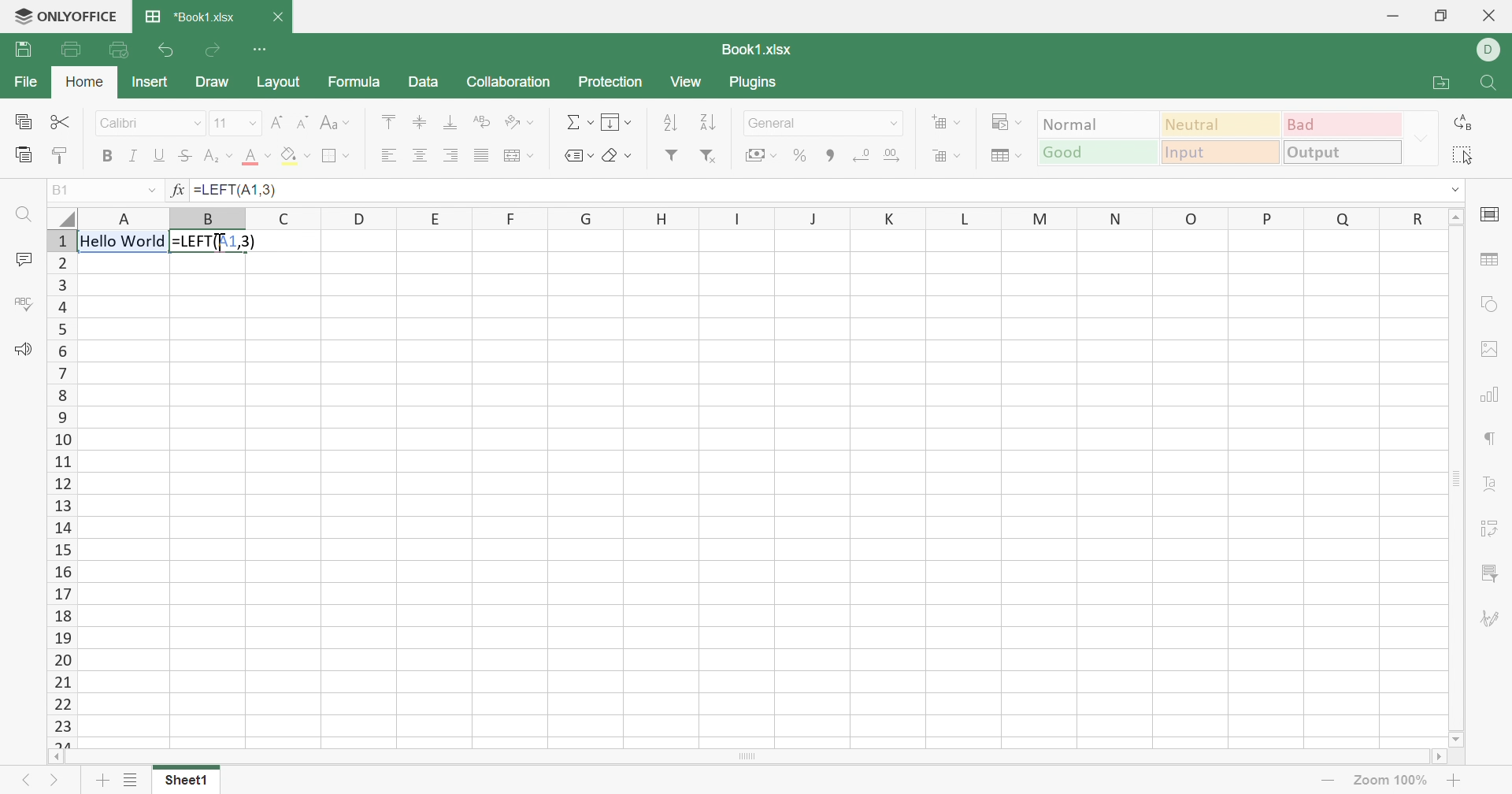  What do you see at coordinates (52, 781) in the screenshot?
I see `Next` at bounding box center [52, 781].